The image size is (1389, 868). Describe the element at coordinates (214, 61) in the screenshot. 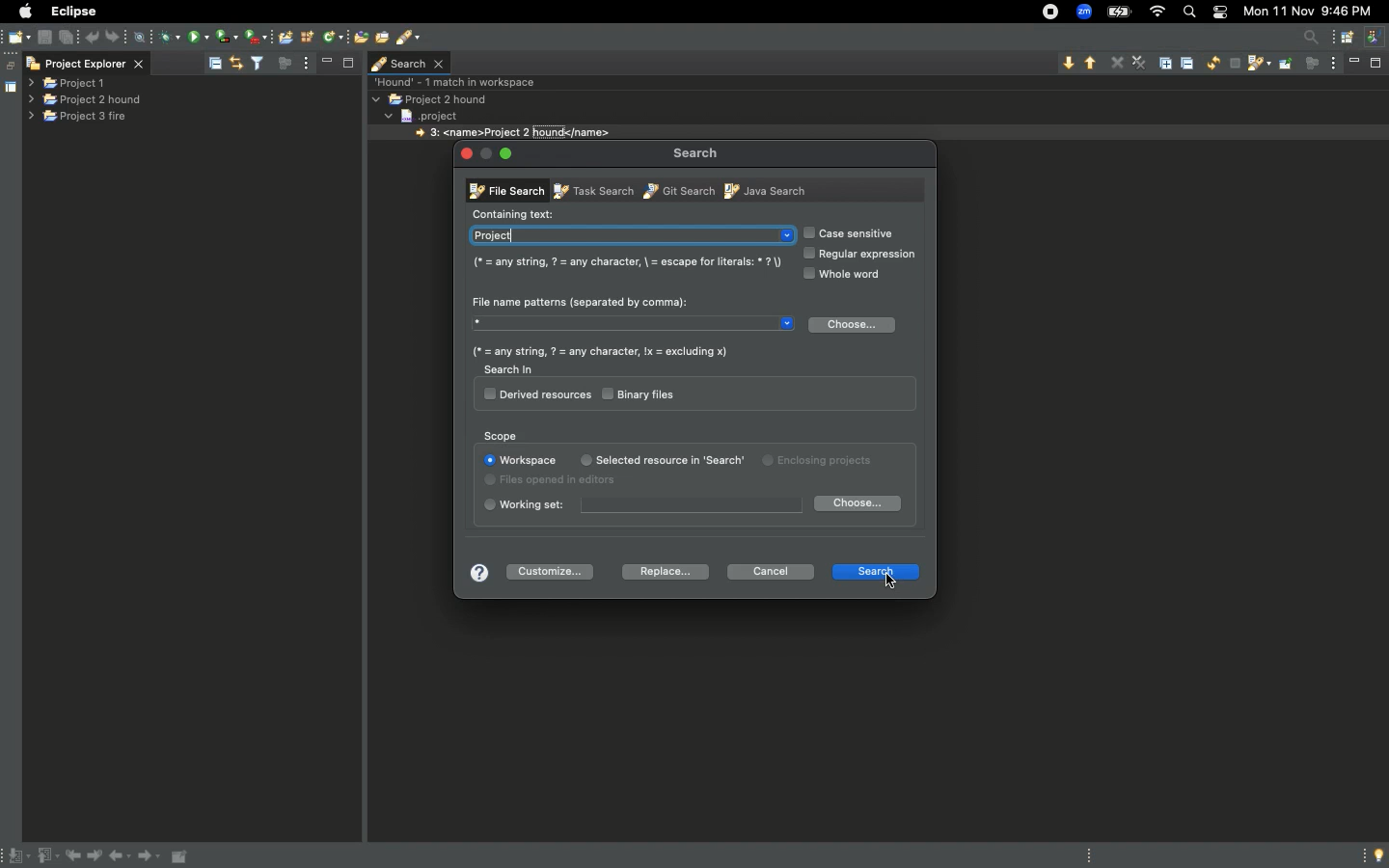

I see `collapse all` at that location.